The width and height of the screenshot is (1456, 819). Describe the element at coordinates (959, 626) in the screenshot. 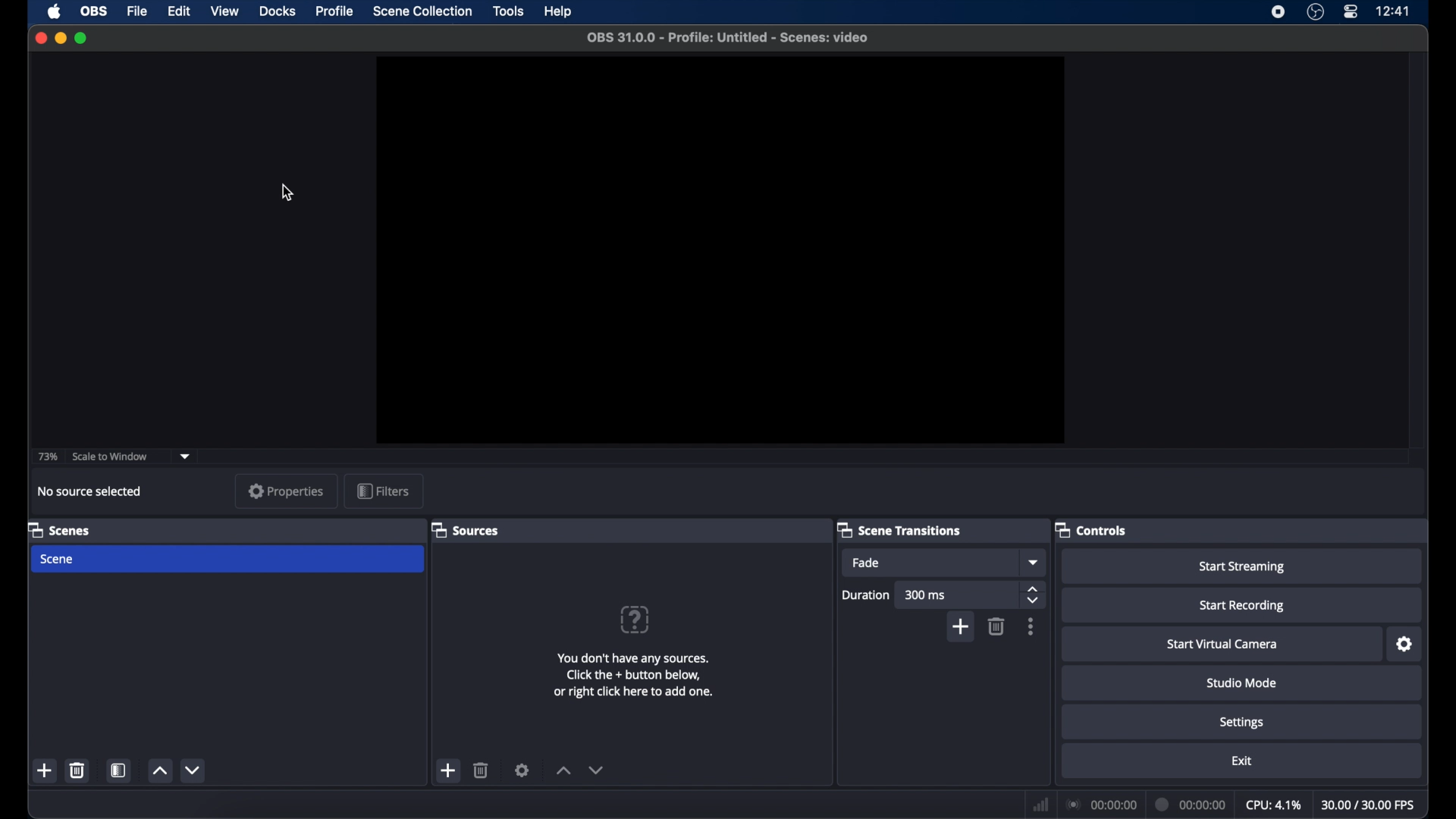

I see `add` at that location.